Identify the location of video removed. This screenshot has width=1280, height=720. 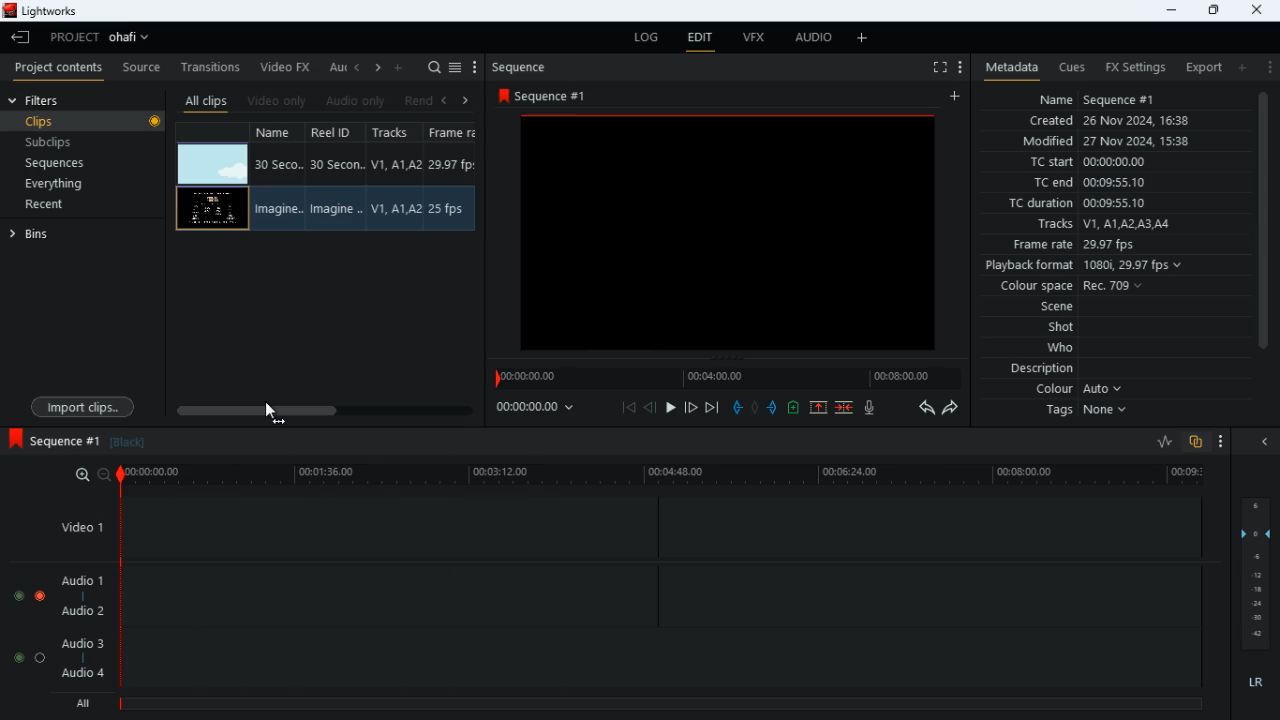
(734, 237).